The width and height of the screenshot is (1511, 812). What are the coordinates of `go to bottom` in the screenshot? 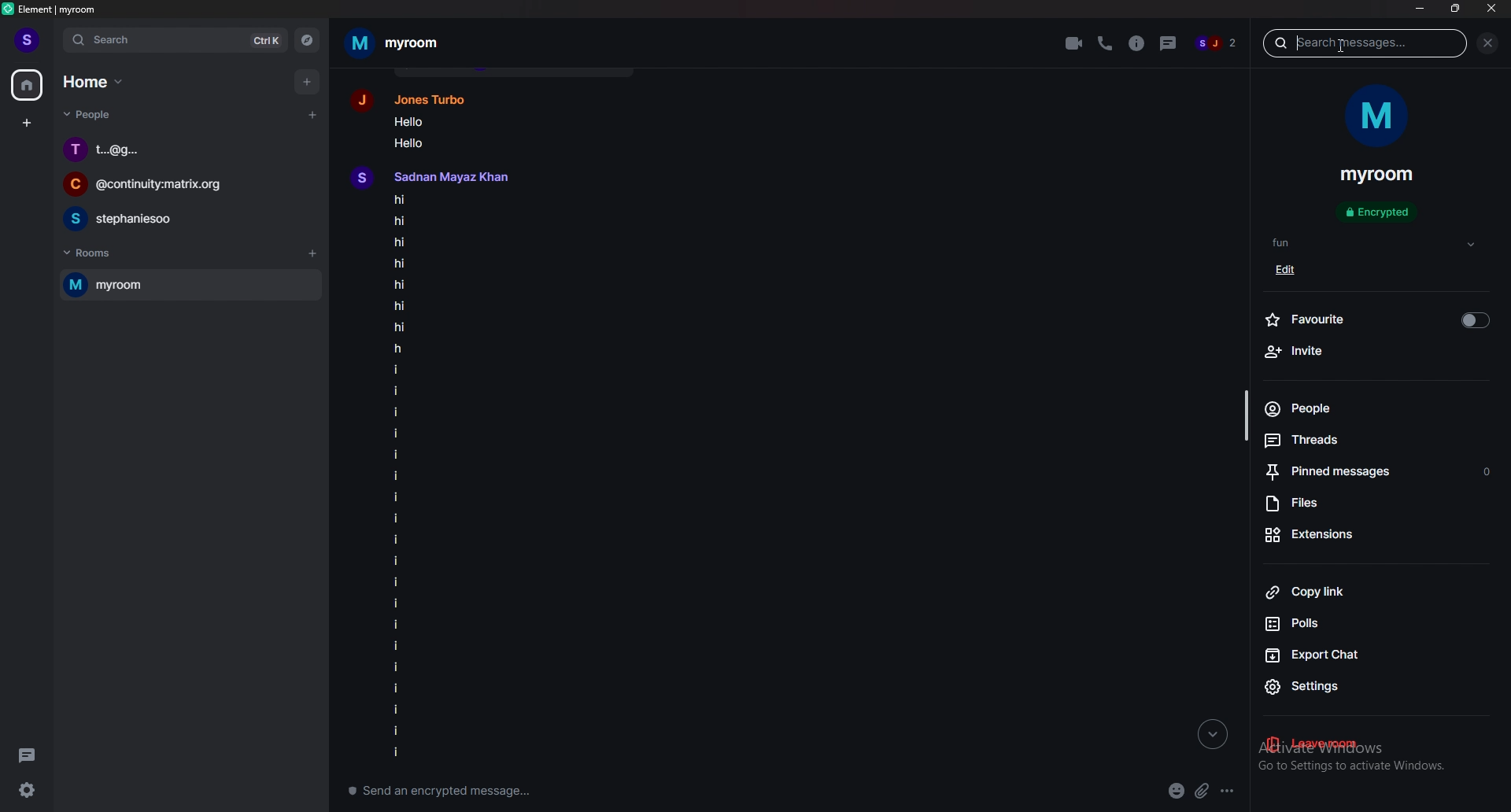 It's located at (1210, 734).